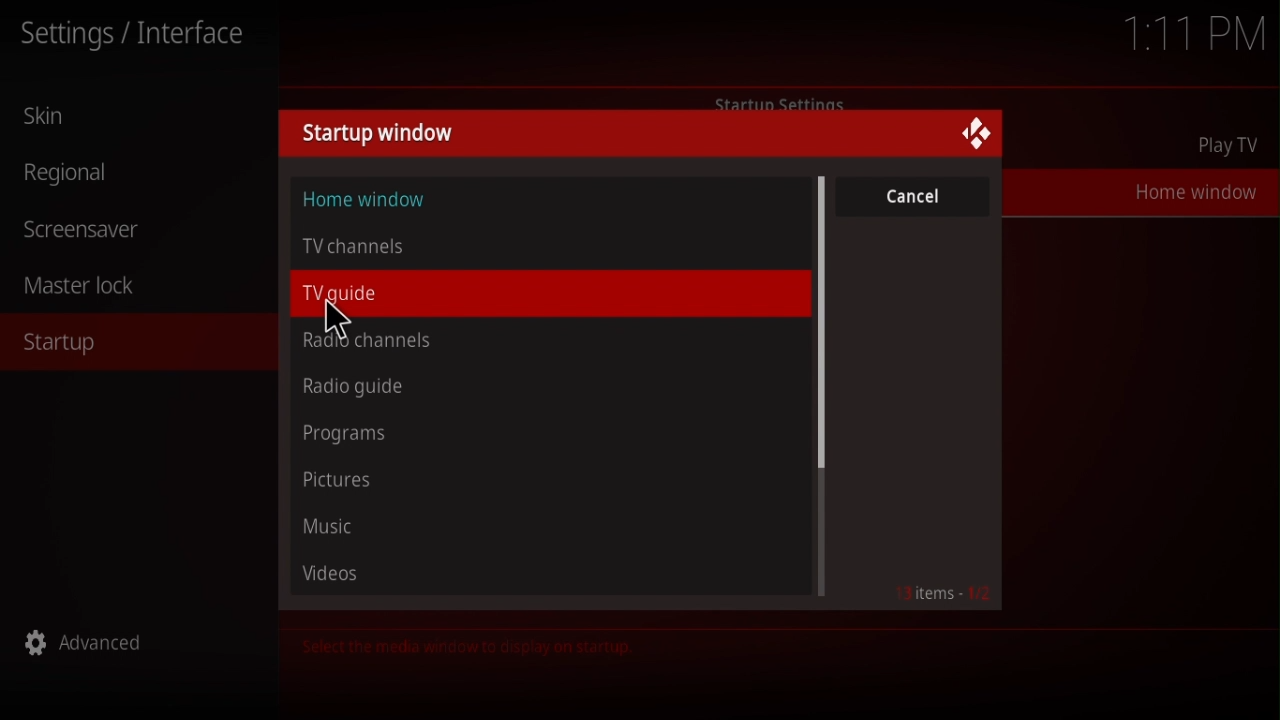 The height and width of the screenshot is (720, 1280). What do you see at coordinates (776, 100) in the screenshot?
I see `` at bounding box center [776, 100].